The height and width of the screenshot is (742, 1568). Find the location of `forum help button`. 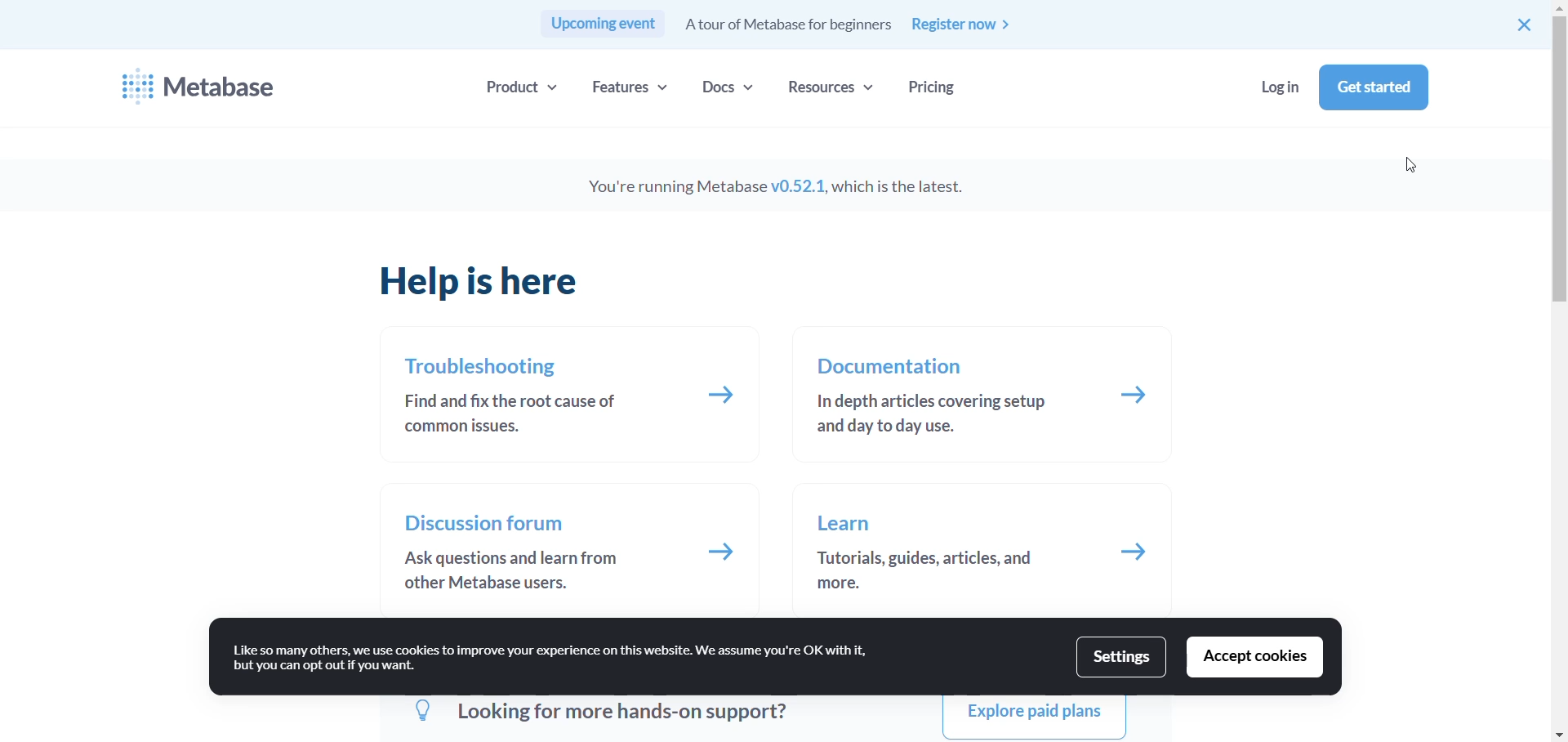

forum help button is located at coordinates (723, 552).